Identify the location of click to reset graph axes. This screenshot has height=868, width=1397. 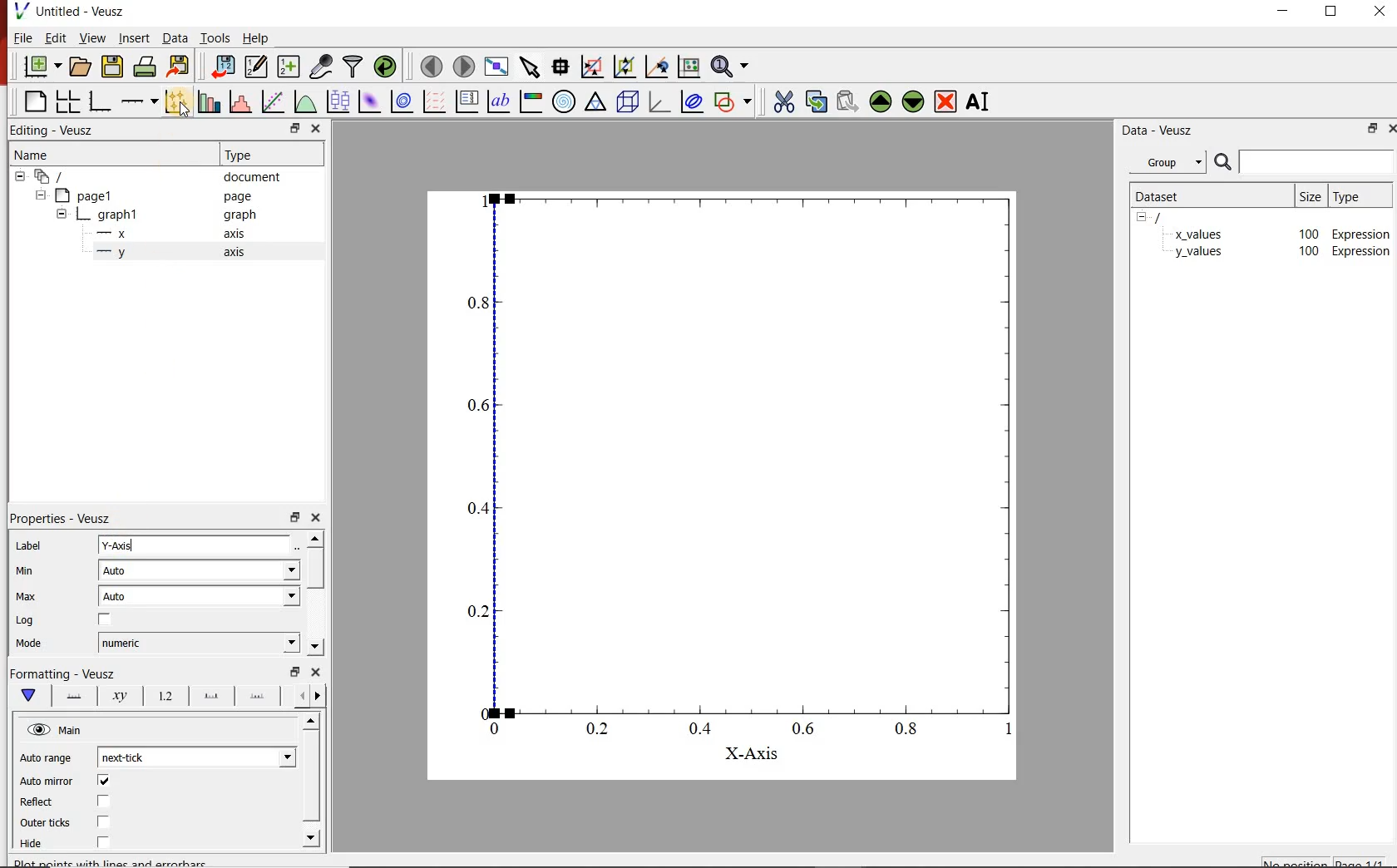
(688, 67).